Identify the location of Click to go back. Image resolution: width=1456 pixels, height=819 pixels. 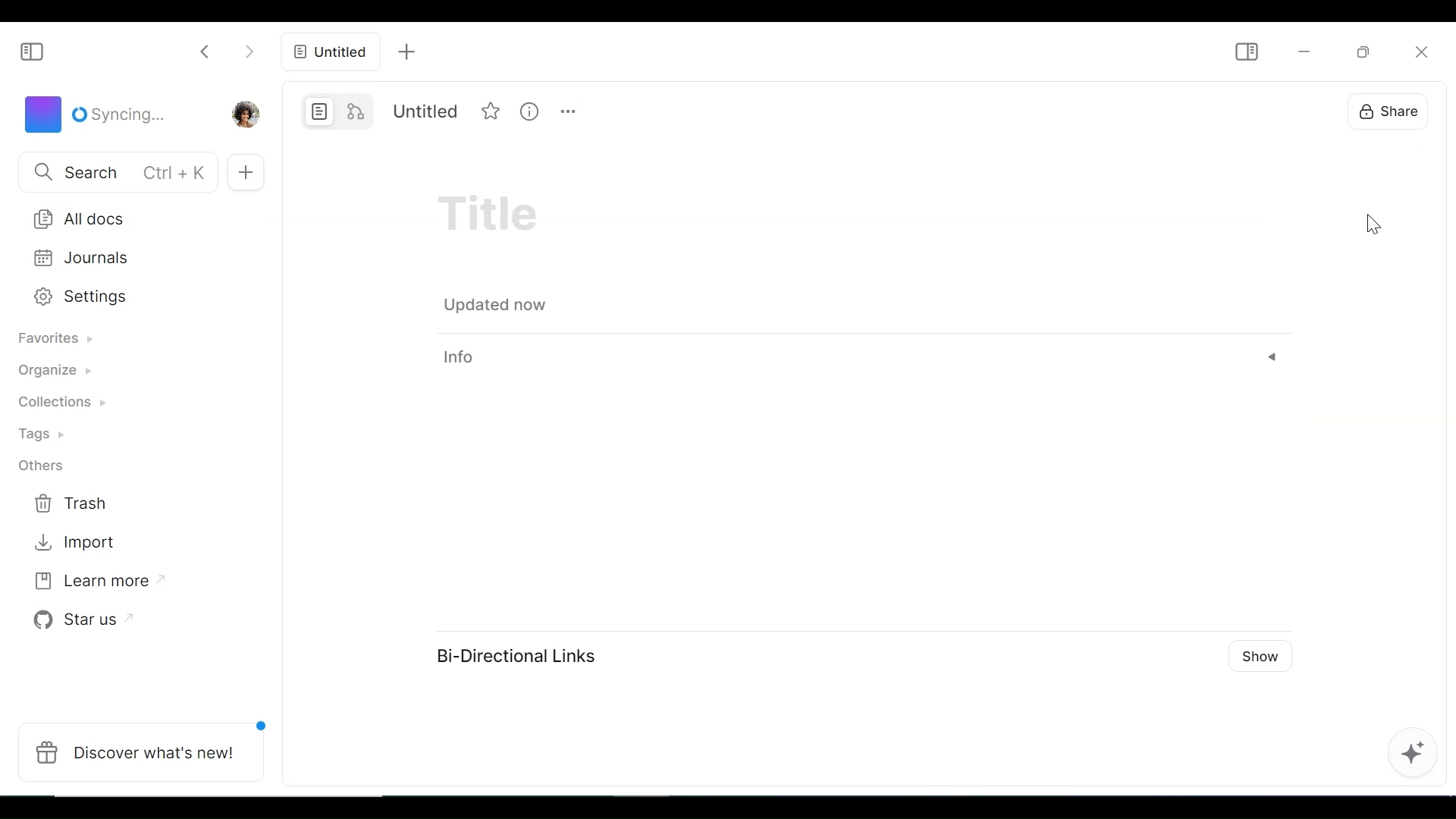
(199, 52).